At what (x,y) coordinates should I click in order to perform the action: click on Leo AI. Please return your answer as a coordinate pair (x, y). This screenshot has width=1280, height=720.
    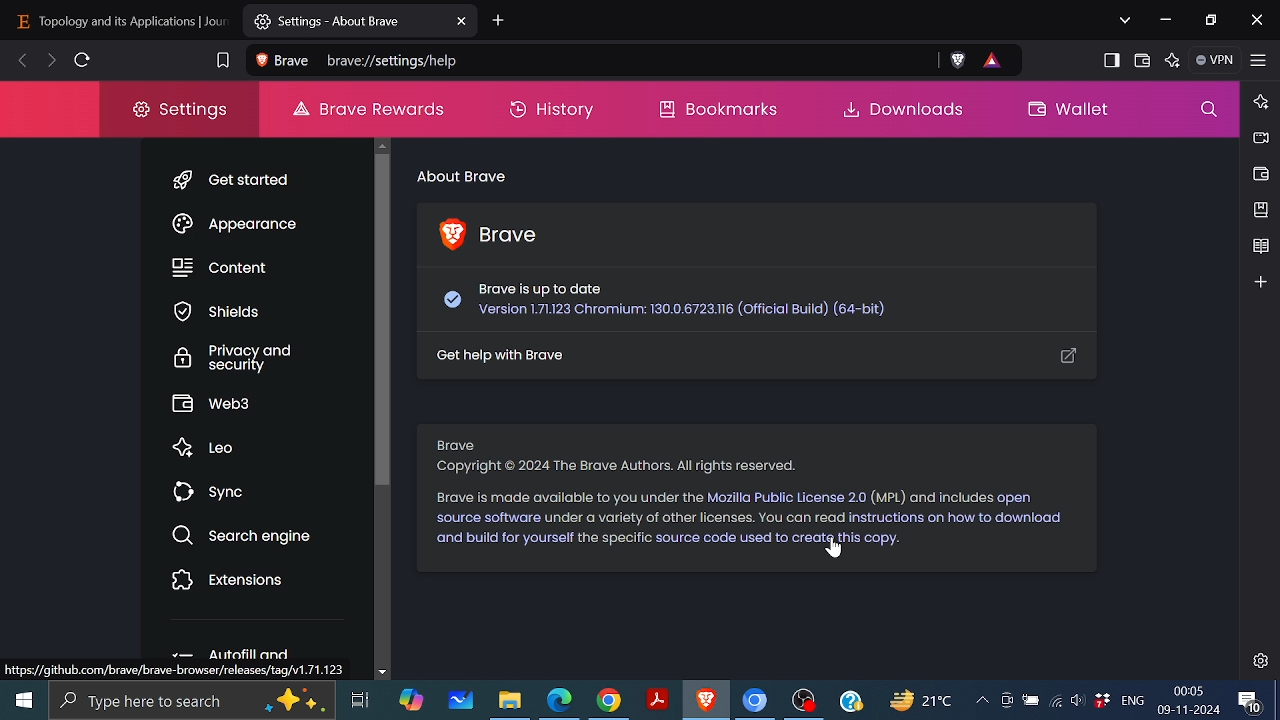
    Looking at the image, I should click on (1174, 60).